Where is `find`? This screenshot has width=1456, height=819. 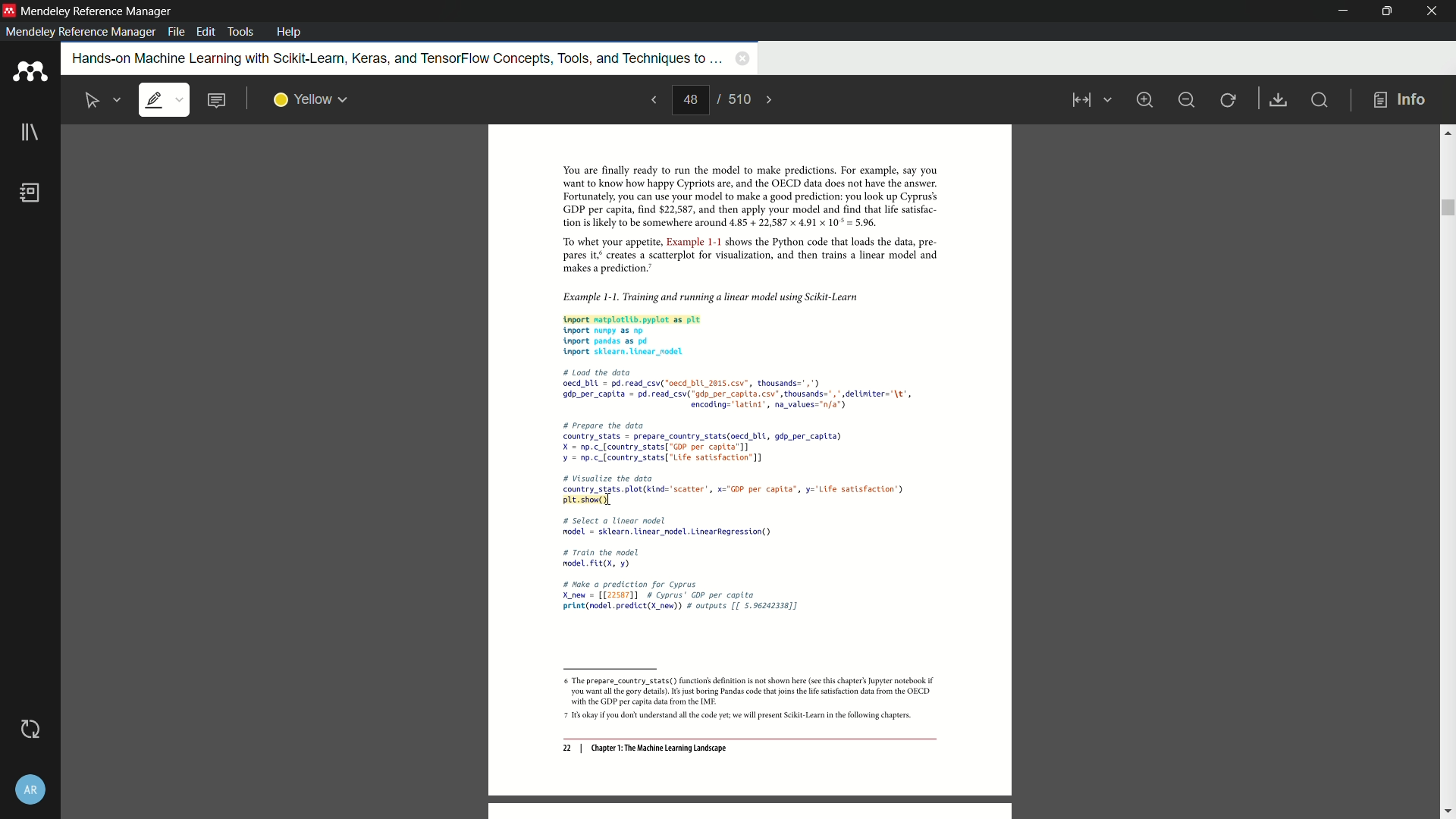 find is located at coordinates (1318, 99).